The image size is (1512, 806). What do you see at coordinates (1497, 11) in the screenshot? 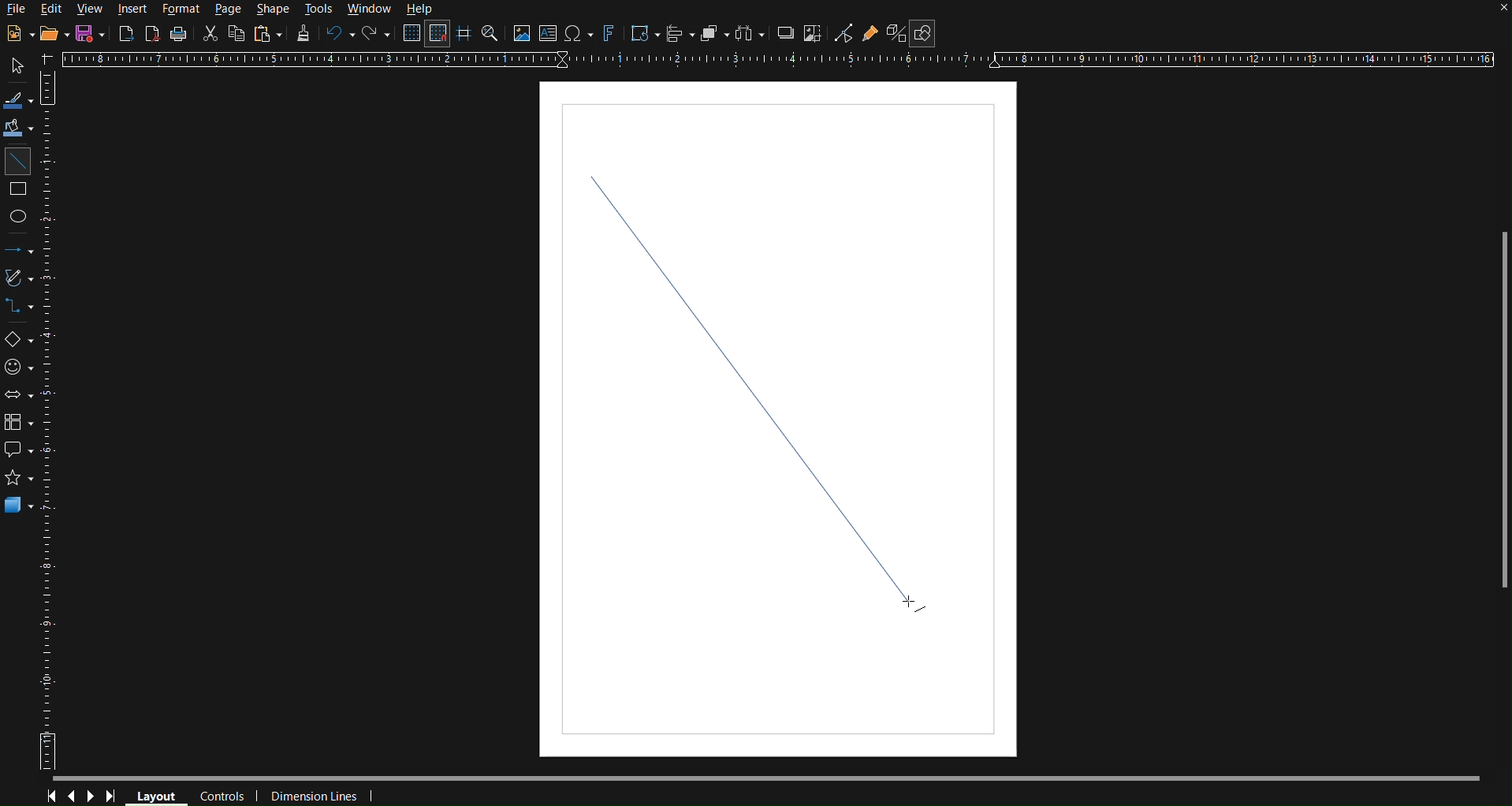
I see `close` at bounding box center [1497, 11].